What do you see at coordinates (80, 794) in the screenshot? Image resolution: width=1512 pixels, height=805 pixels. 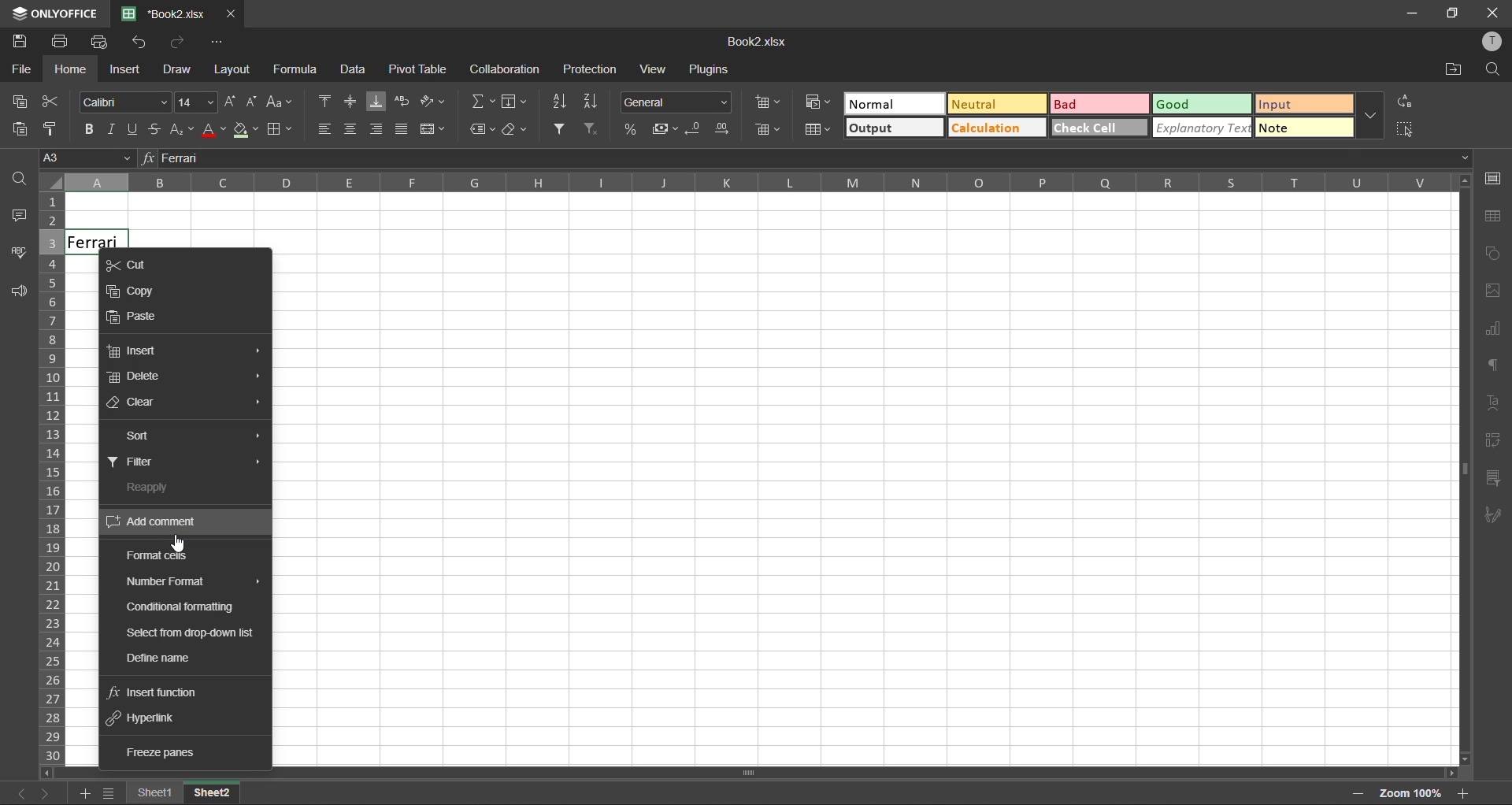 I see `add sheet` at bounding box center [80, 794].